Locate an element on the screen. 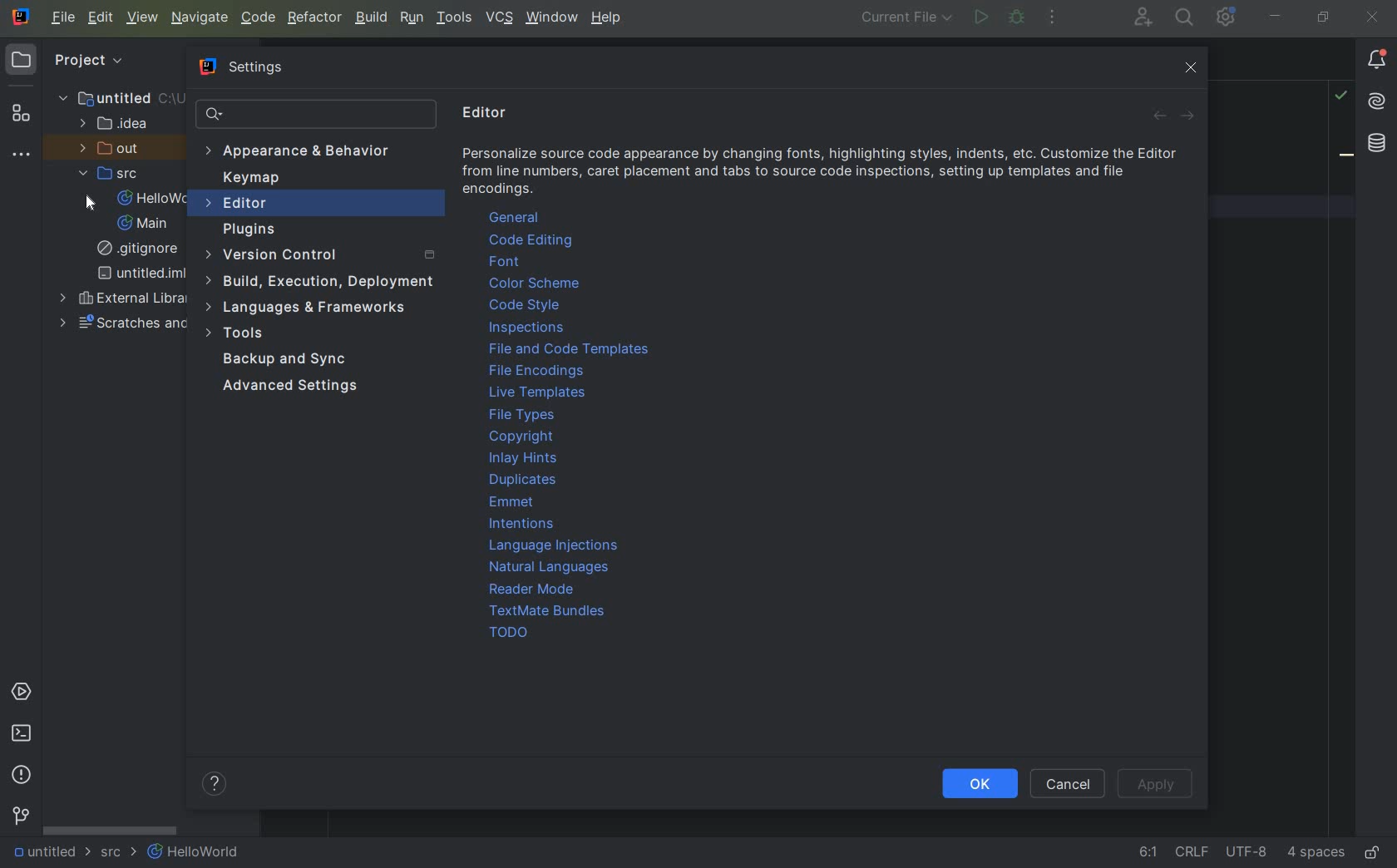 This screenshot has height=868, width=1397. Ok is located at coordinates (980, 782).